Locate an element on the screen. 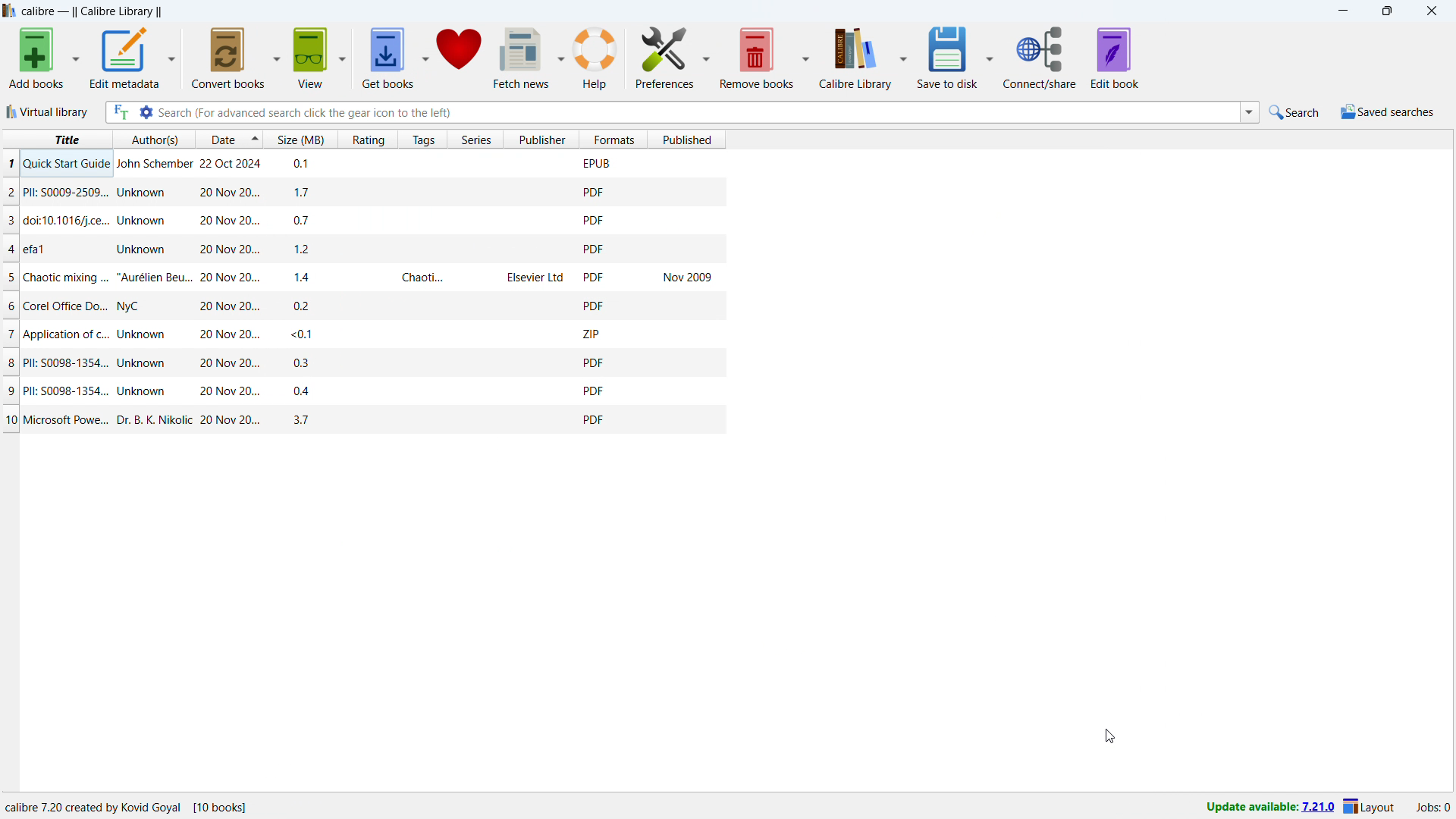  cursor is located at coordinates (1108, 736).